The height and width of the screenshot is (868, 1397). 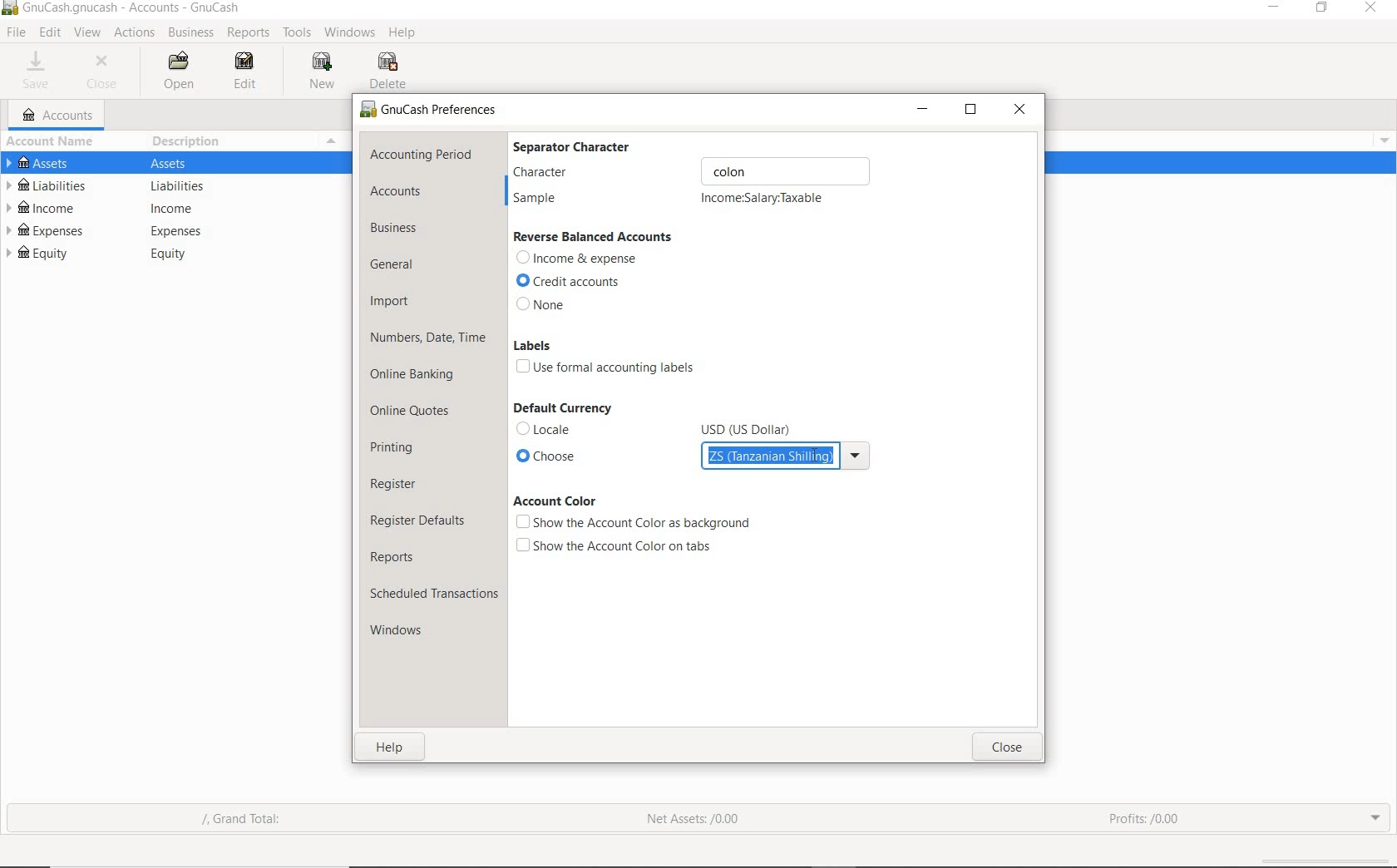 What do you see at coordinates (395, 483) in the screenshot?
I see `register` at bounding box center [395, 483].